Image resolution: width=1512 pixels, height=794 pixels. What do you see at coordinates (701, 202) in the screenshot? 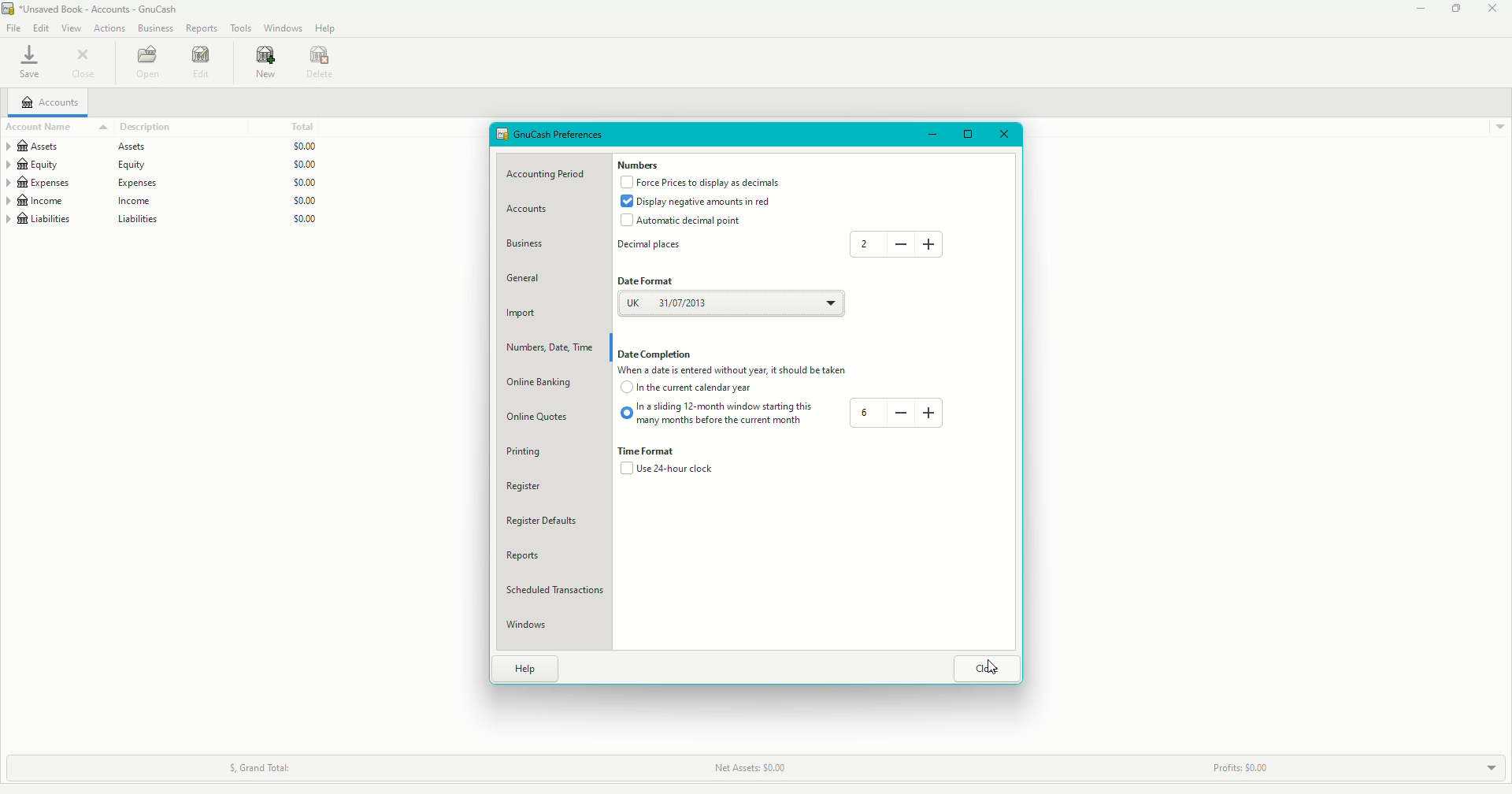
I see `Display negative amounts in red` at bounding box center [701, 202].